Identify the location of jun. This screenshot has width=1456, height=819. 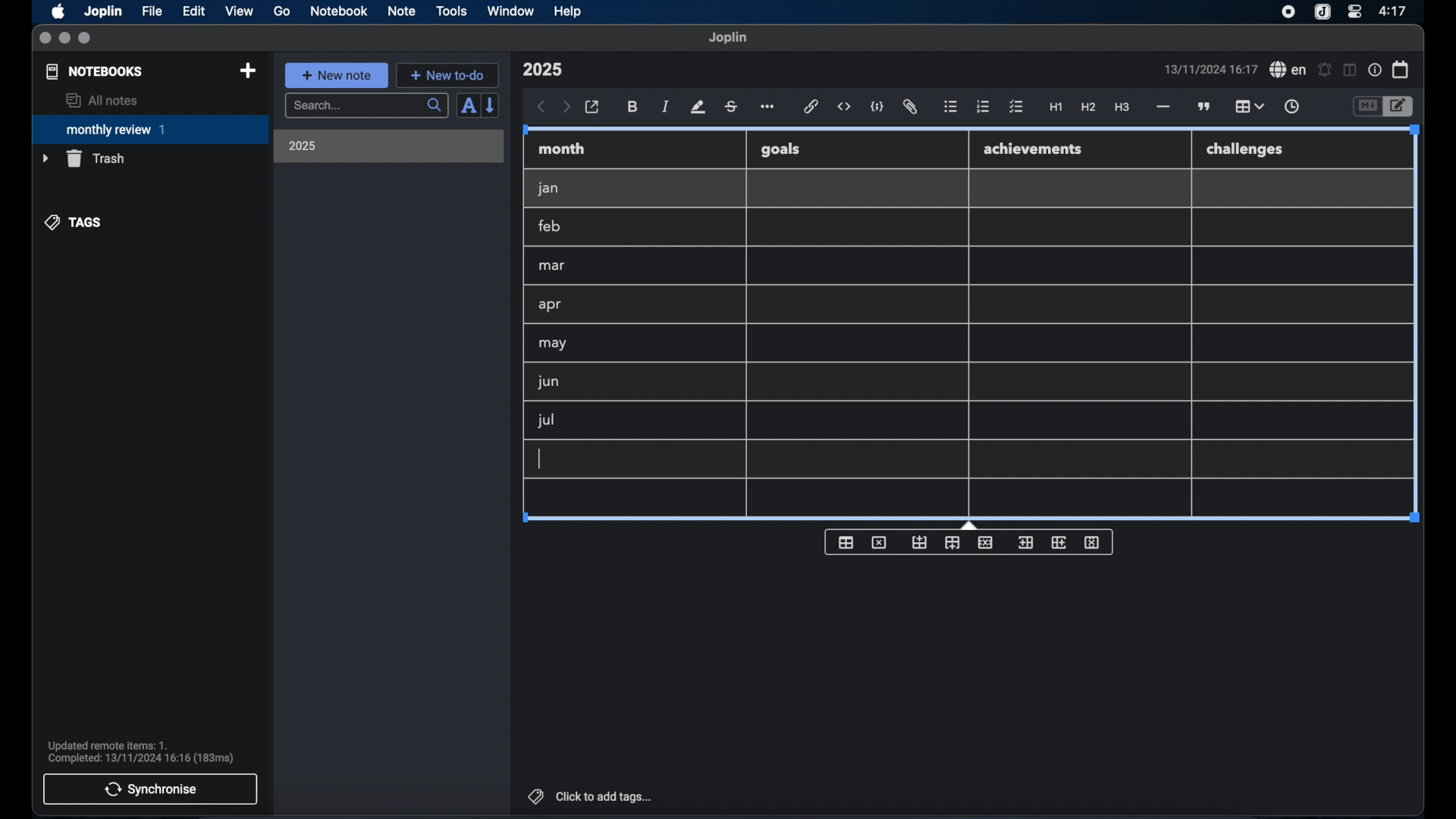
(547, 381).